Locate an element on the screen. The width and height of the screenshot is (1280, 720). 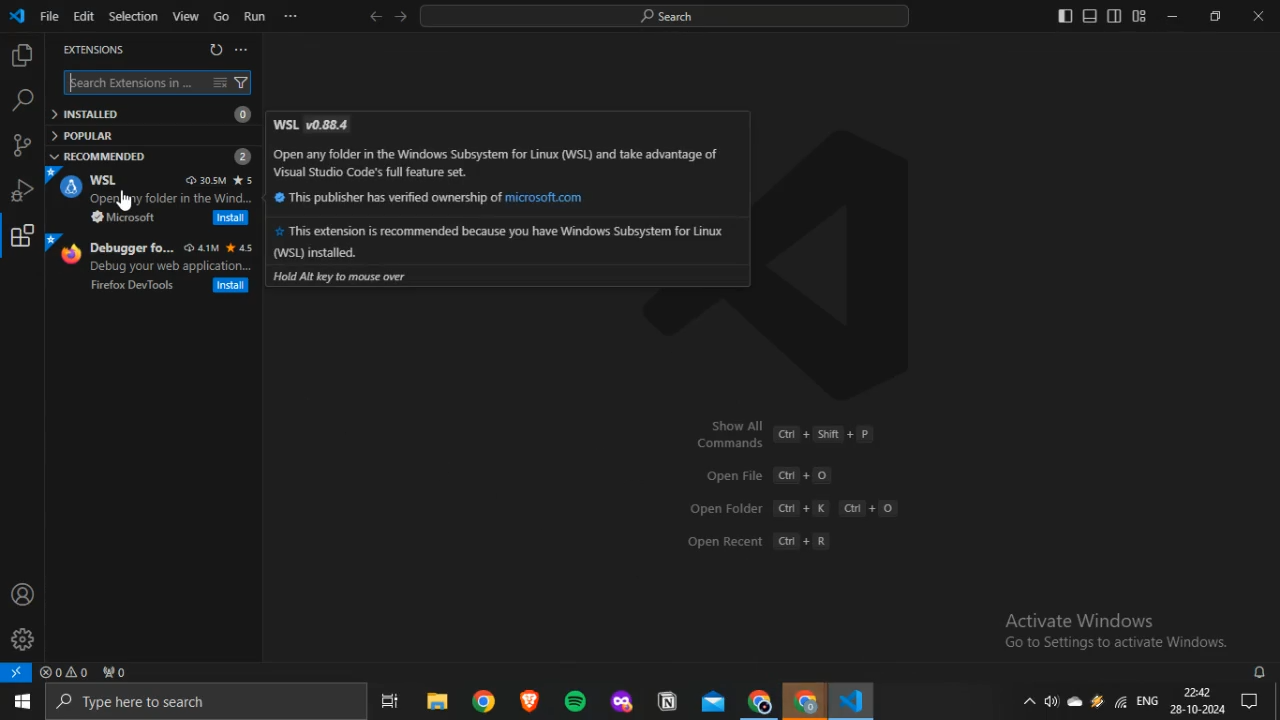
cursor is located at coordinates (126, 200).